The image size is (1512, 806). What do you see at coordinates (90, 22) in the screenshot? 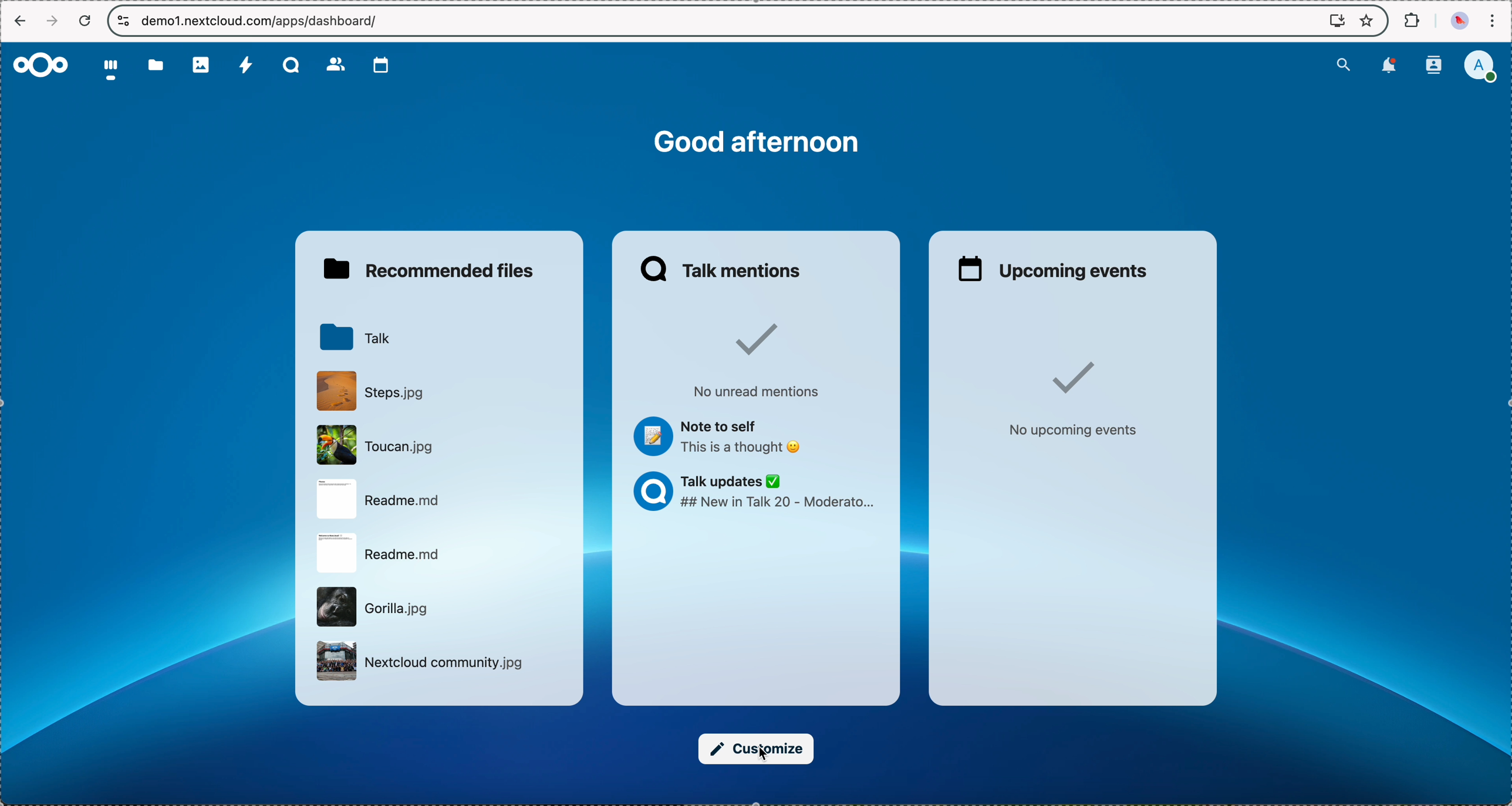
I see `refresh the page` at bounding box center [90, 22].